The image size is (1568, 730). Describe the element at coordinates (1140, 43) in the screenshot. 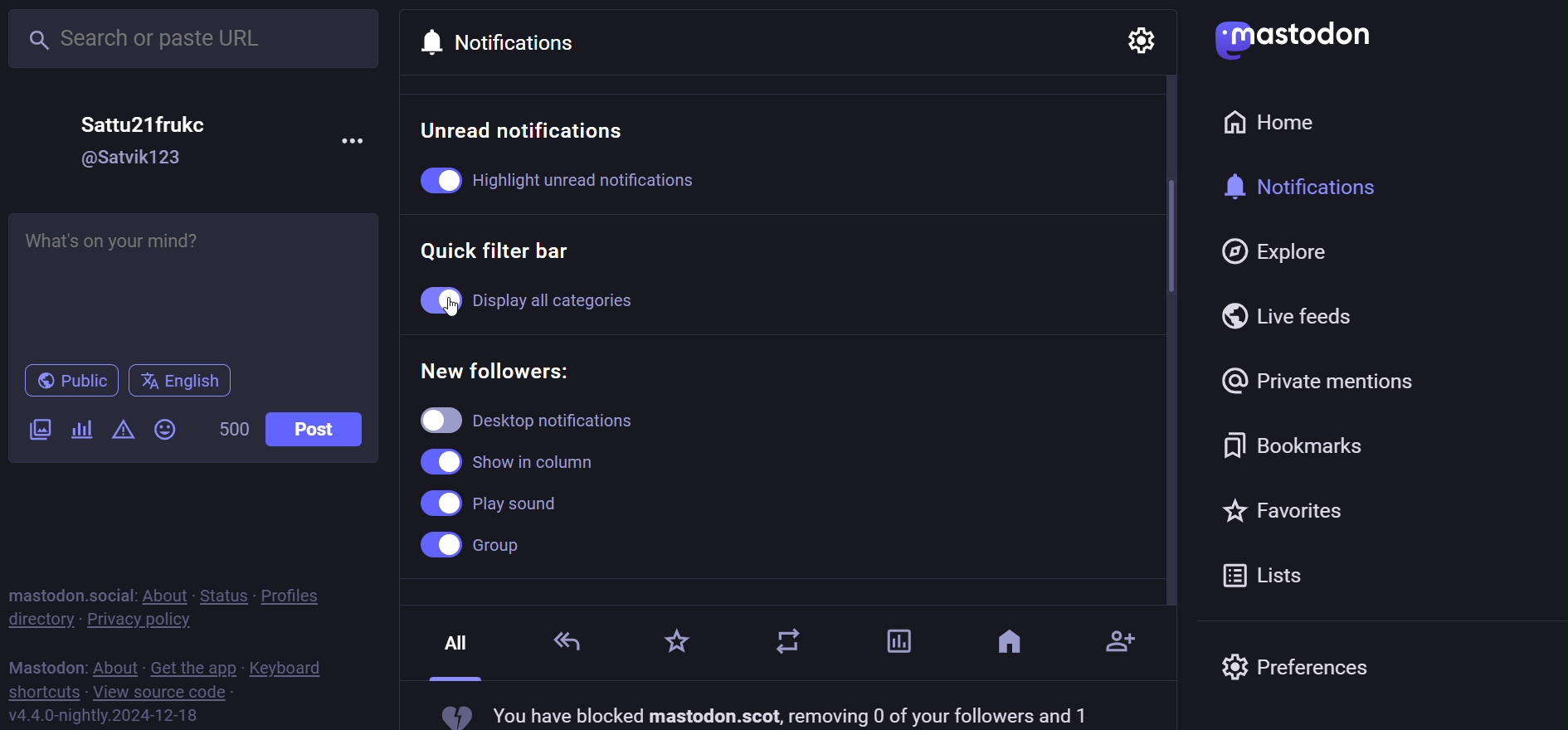

I see `setting` at that location.